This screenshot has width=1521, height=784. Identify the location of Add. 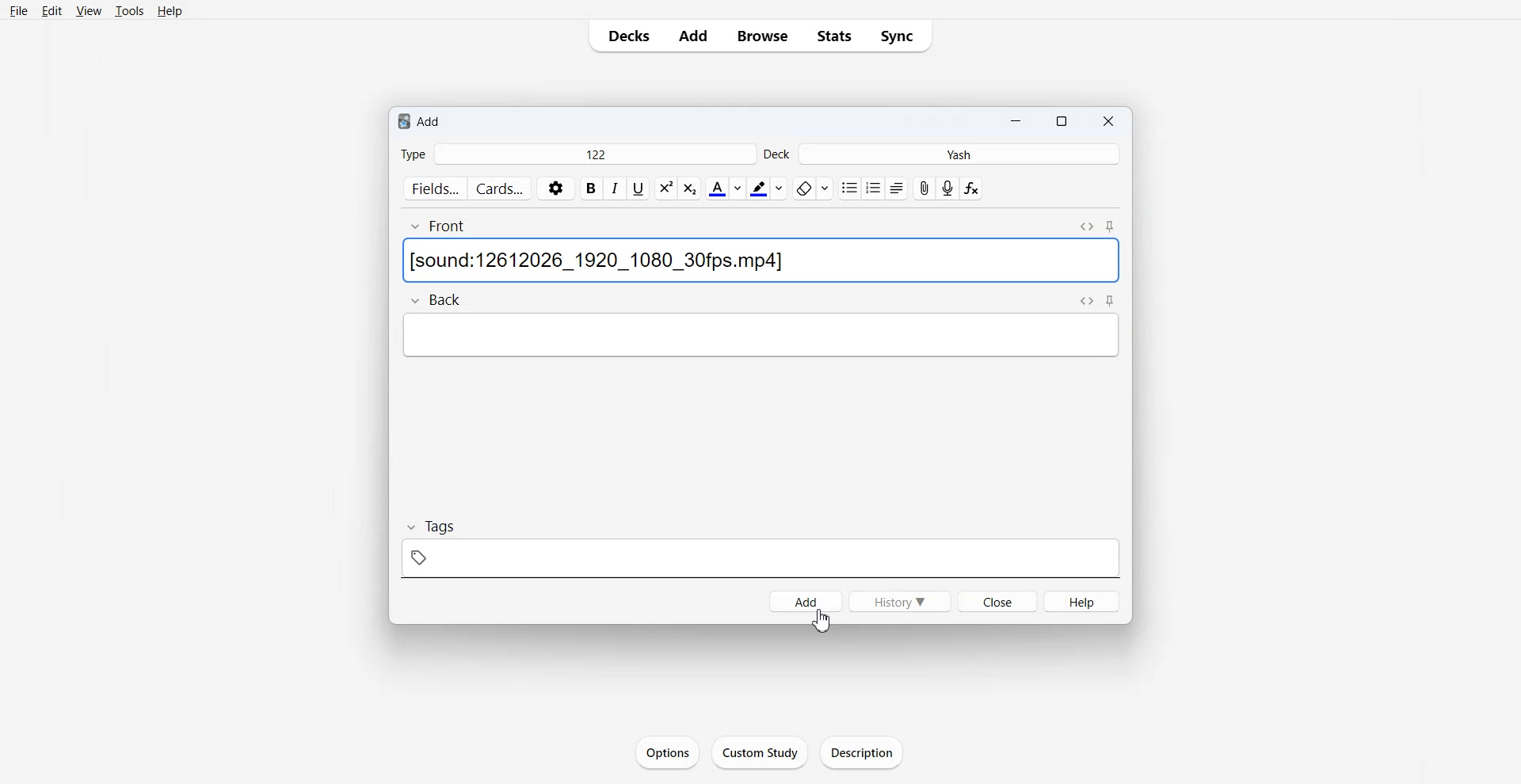
(436, 123).